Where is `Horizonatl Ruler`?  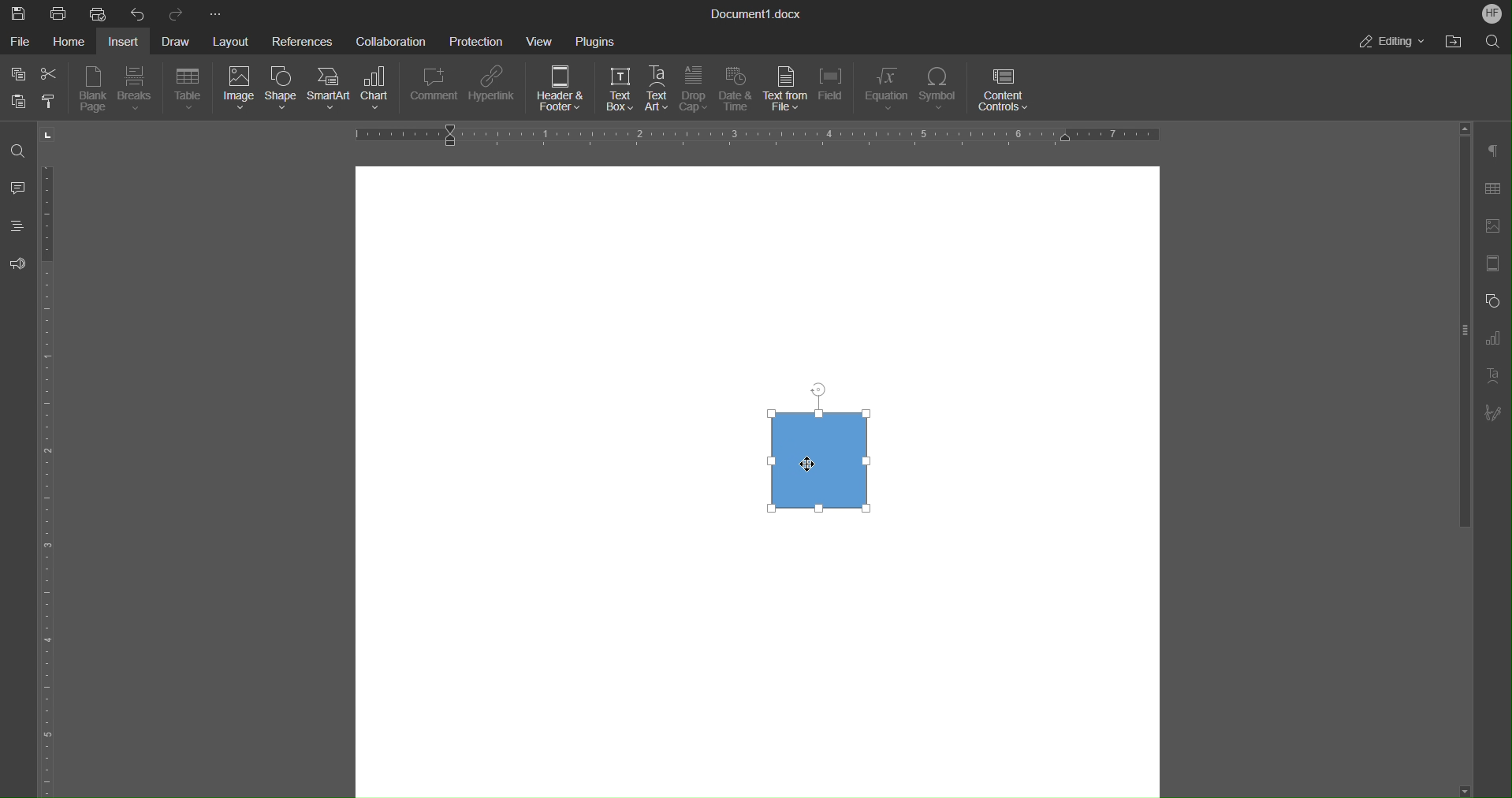
Horizonatl Ruler is located at coordinates (752, 136).